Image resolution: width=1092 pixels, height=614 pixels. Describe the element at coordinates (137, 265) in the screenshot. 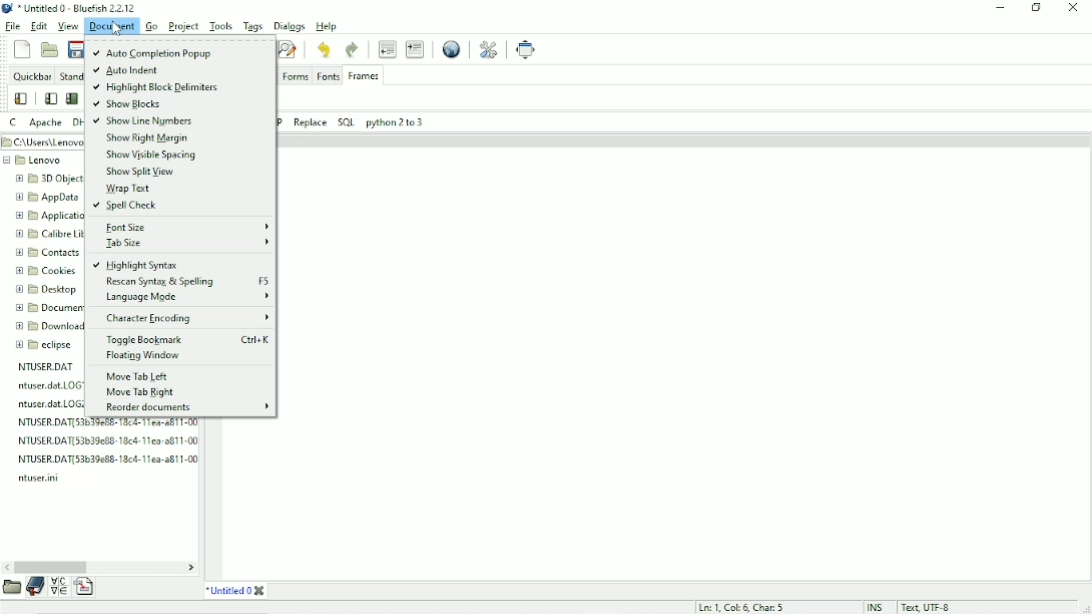

I see `Highlight syntax` at that location.